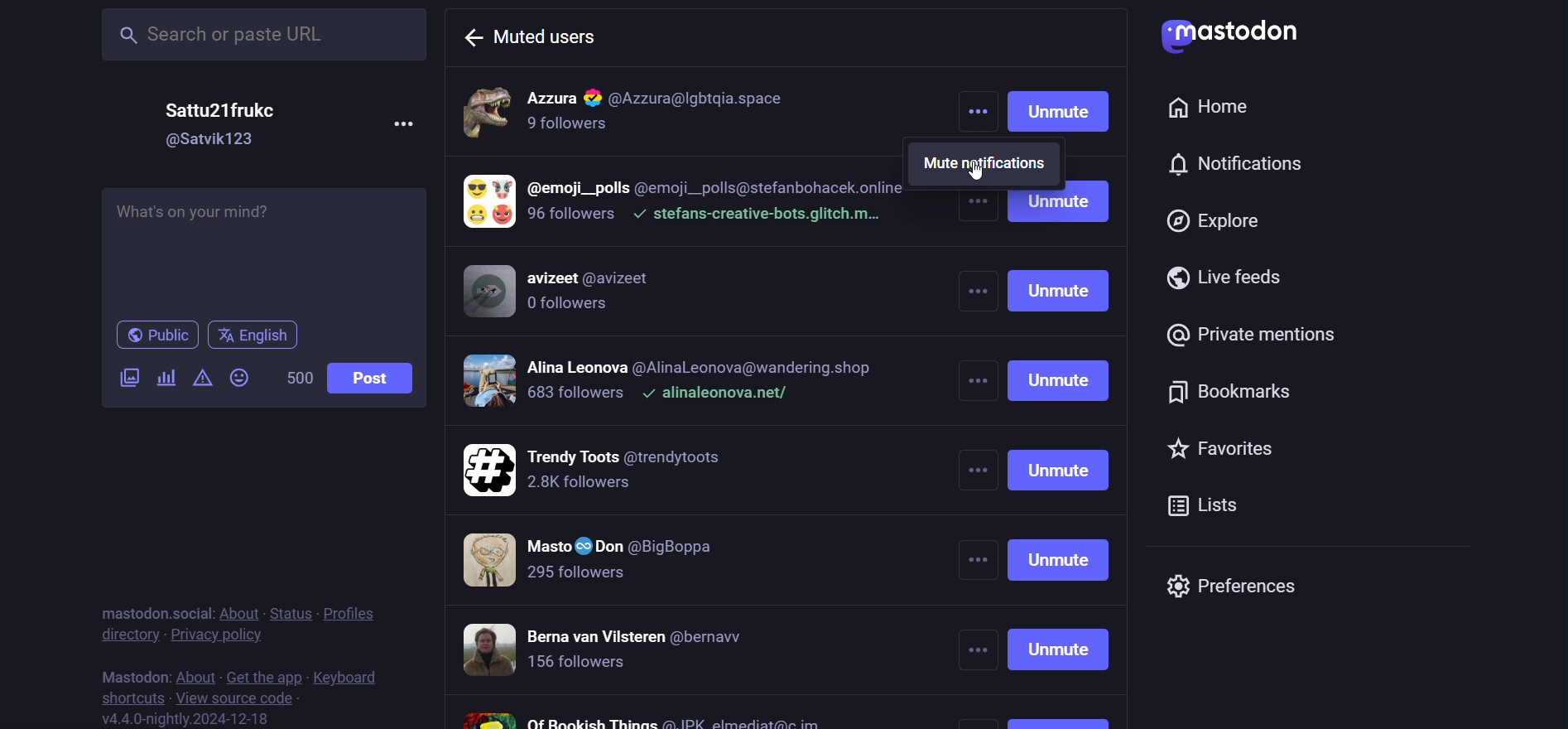  I want to click on muter users 4, so click(680, 382).